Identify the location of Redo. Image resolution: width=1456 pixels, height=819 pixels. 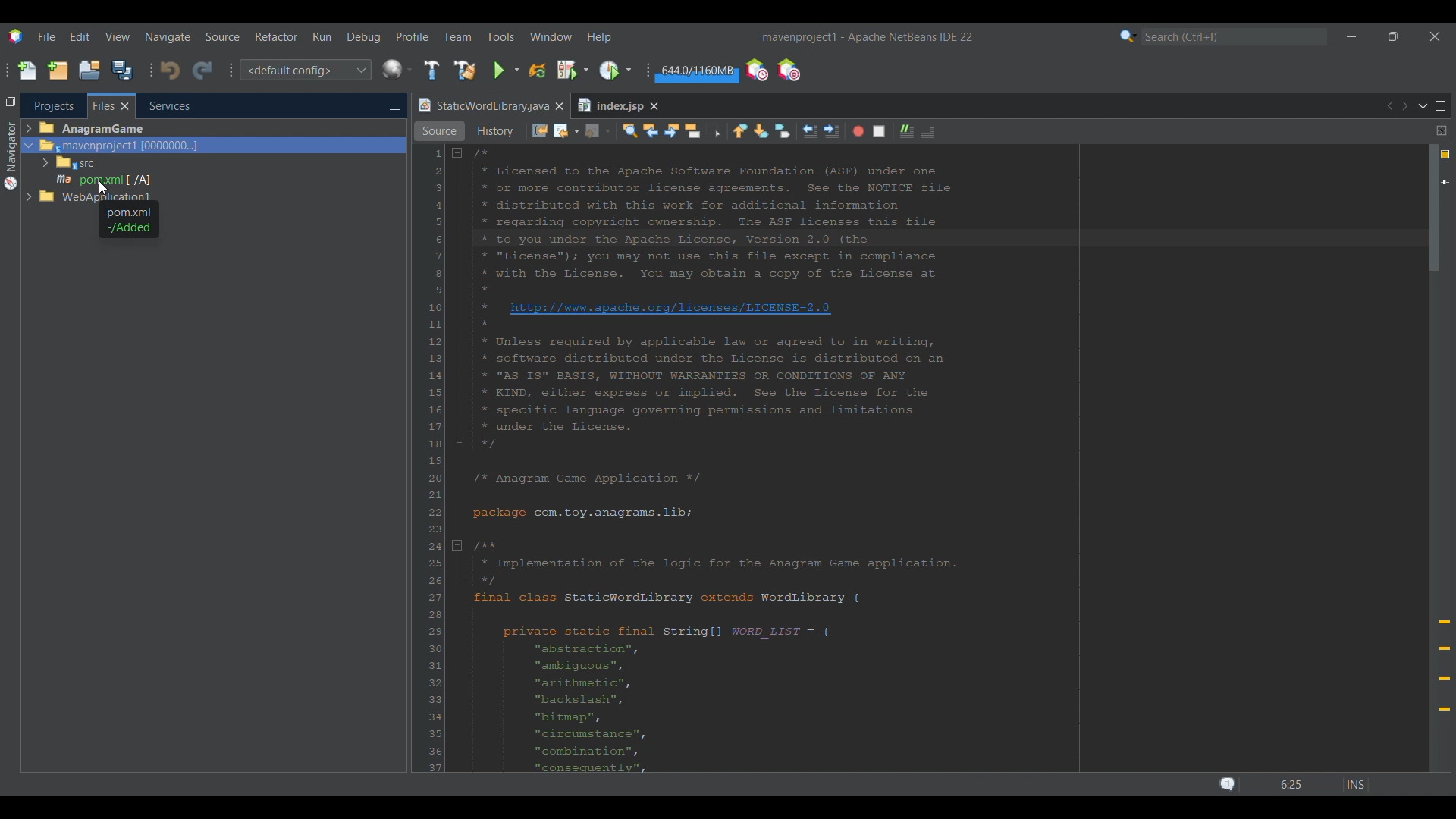
(202, 71).